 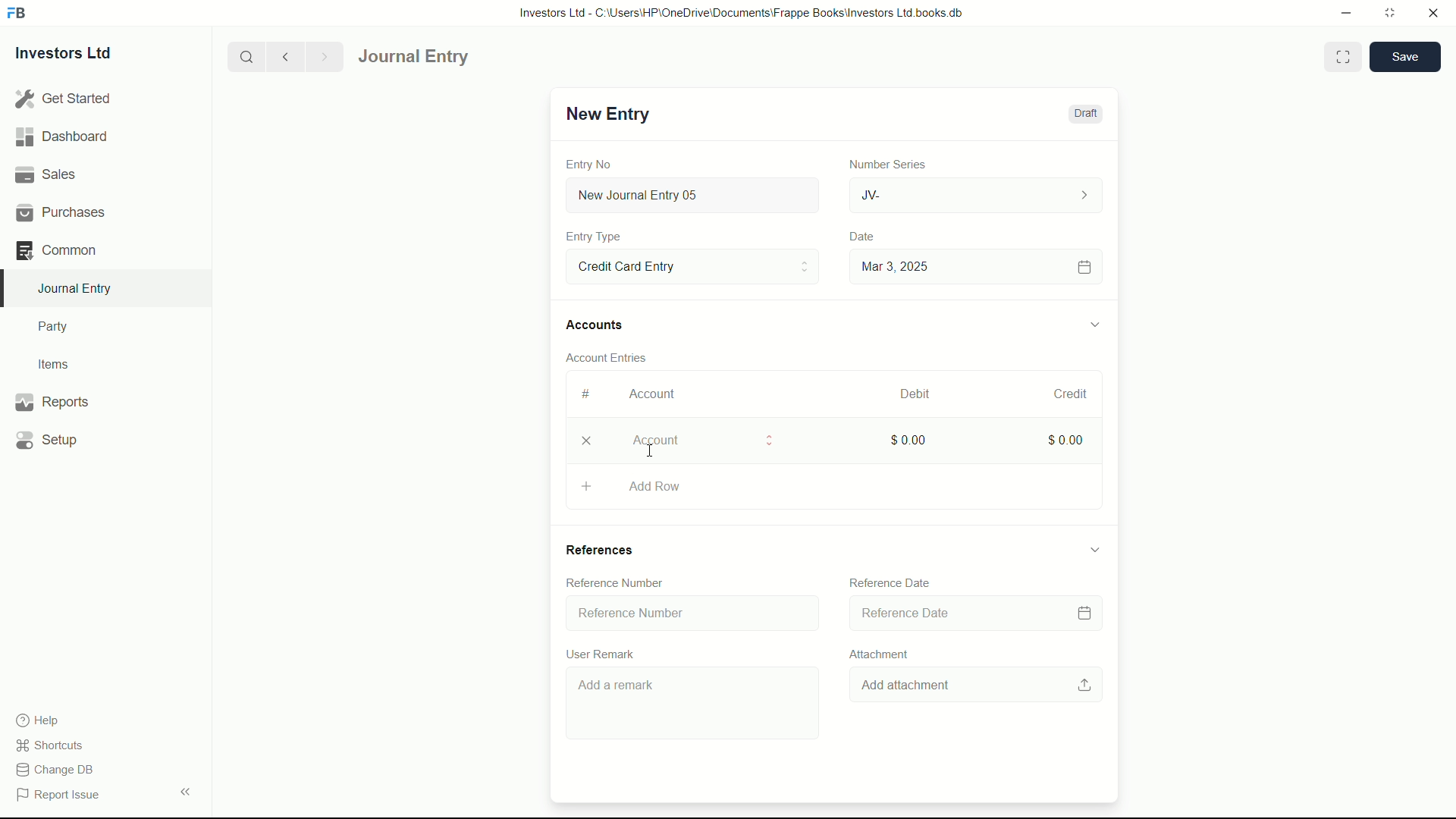 What do you see at coordinates (1059, 438) in the screenshot?
I see `$0.00` at bounding box center [1059, 438].